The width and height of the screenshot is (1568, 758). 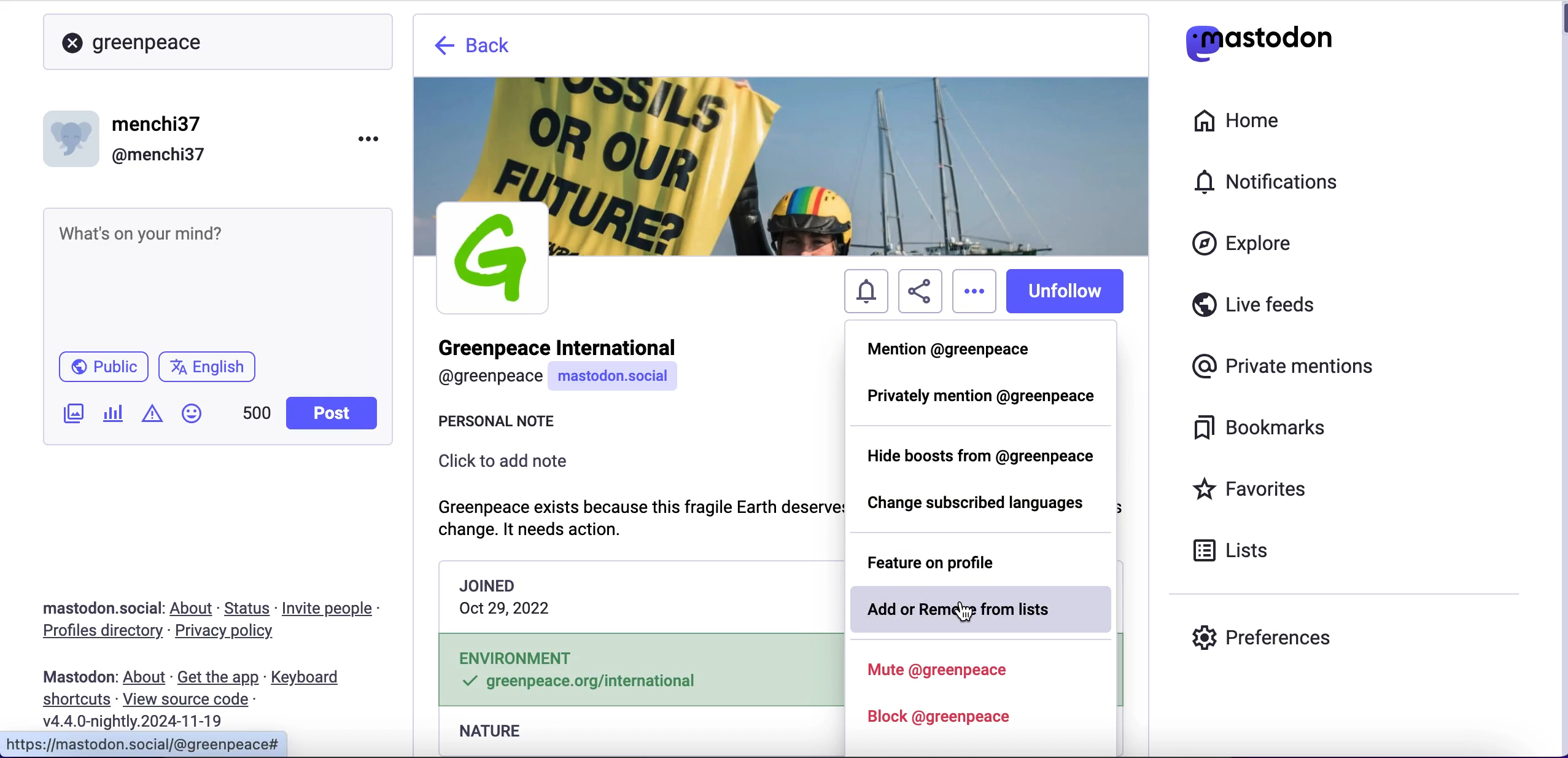 I want to click on wallpaper picture, so click(x=782, y=138).